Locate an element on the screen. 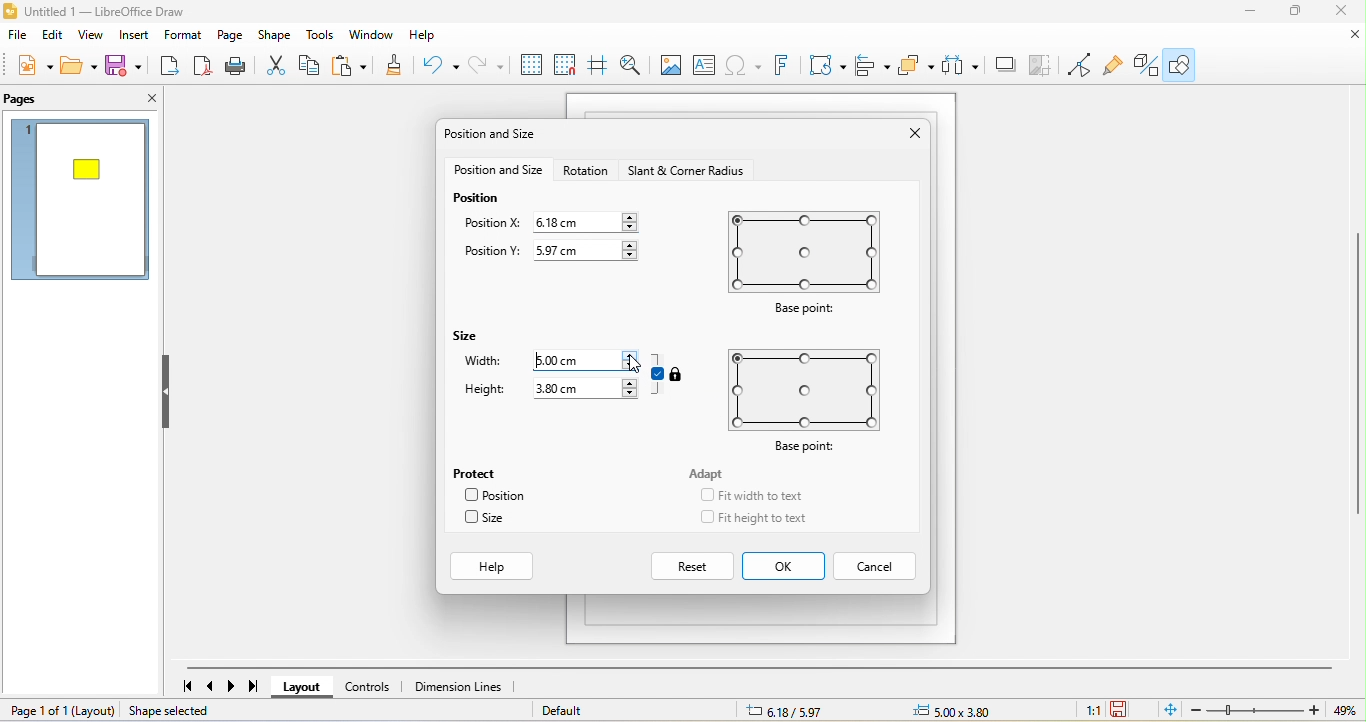 The image size is (1366, 722). align object is located at coordinates (874, 67).